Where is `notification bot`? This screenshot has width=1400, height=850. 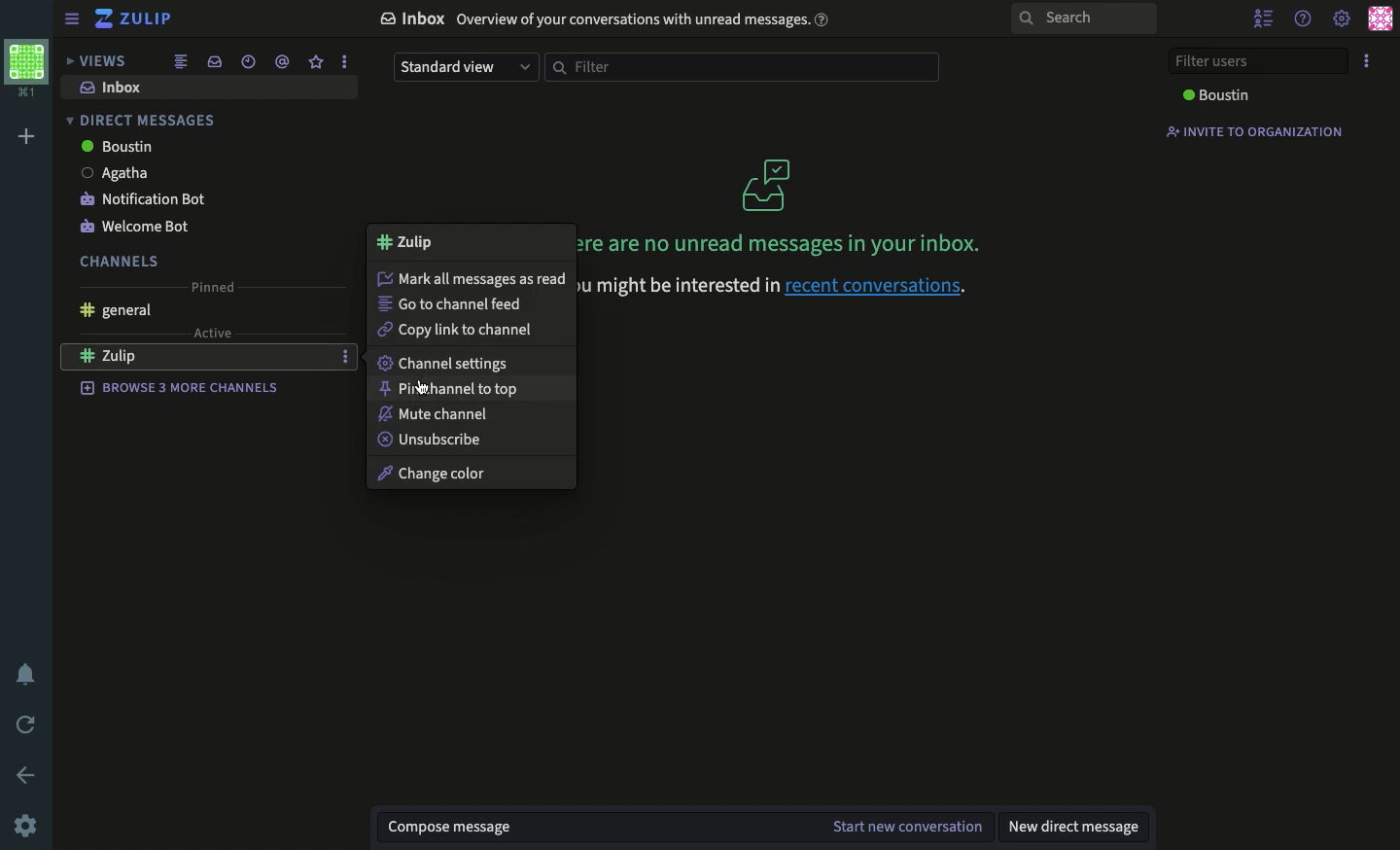
notification bot is located at coordinates (146, 198).